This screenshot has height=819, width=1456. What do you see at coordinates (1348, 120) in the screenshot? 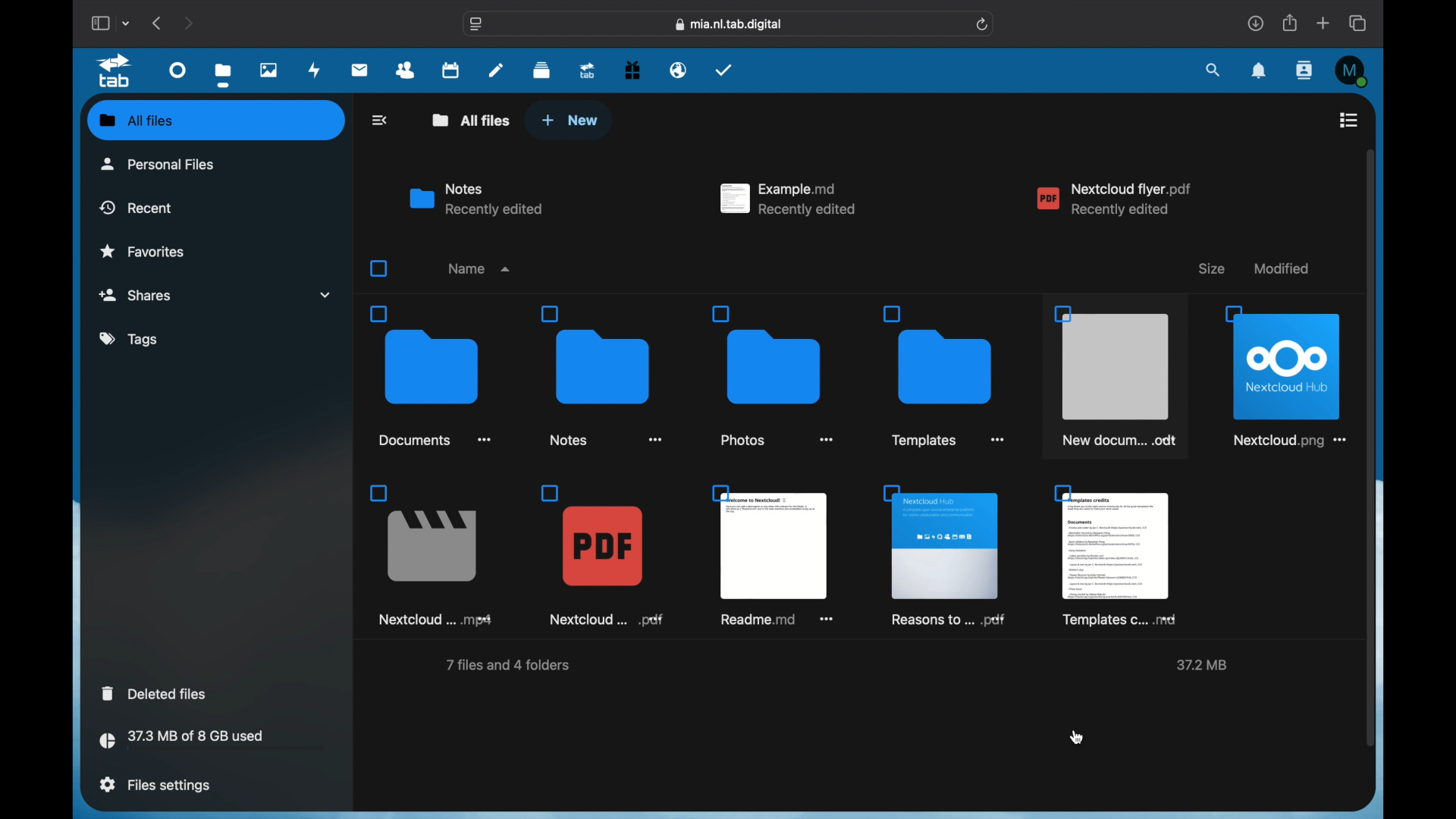
I see `list view` at bounding box center [1348, 120].